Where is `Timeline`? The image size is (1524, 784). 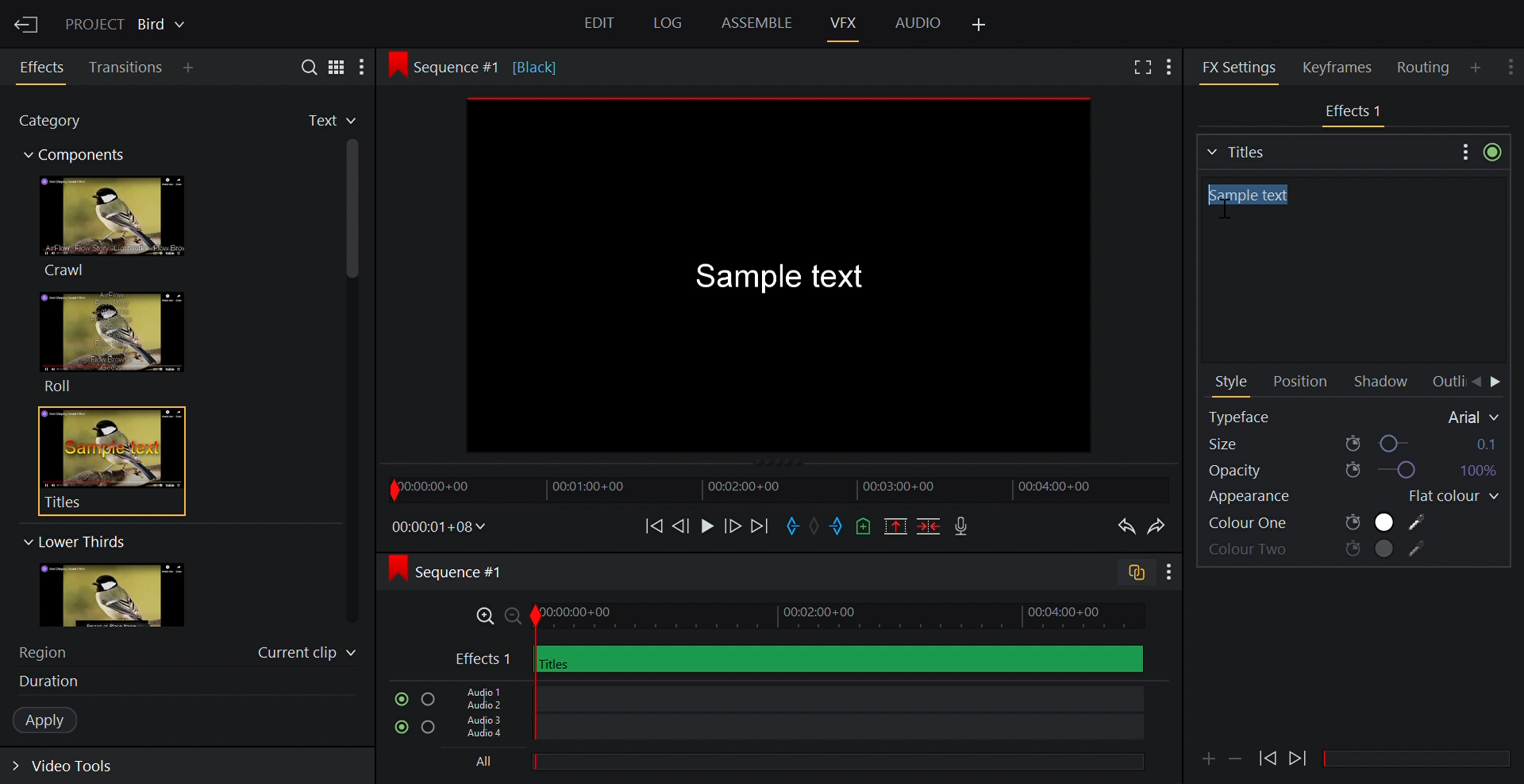
Timeline is located at coordinates (777, 489).